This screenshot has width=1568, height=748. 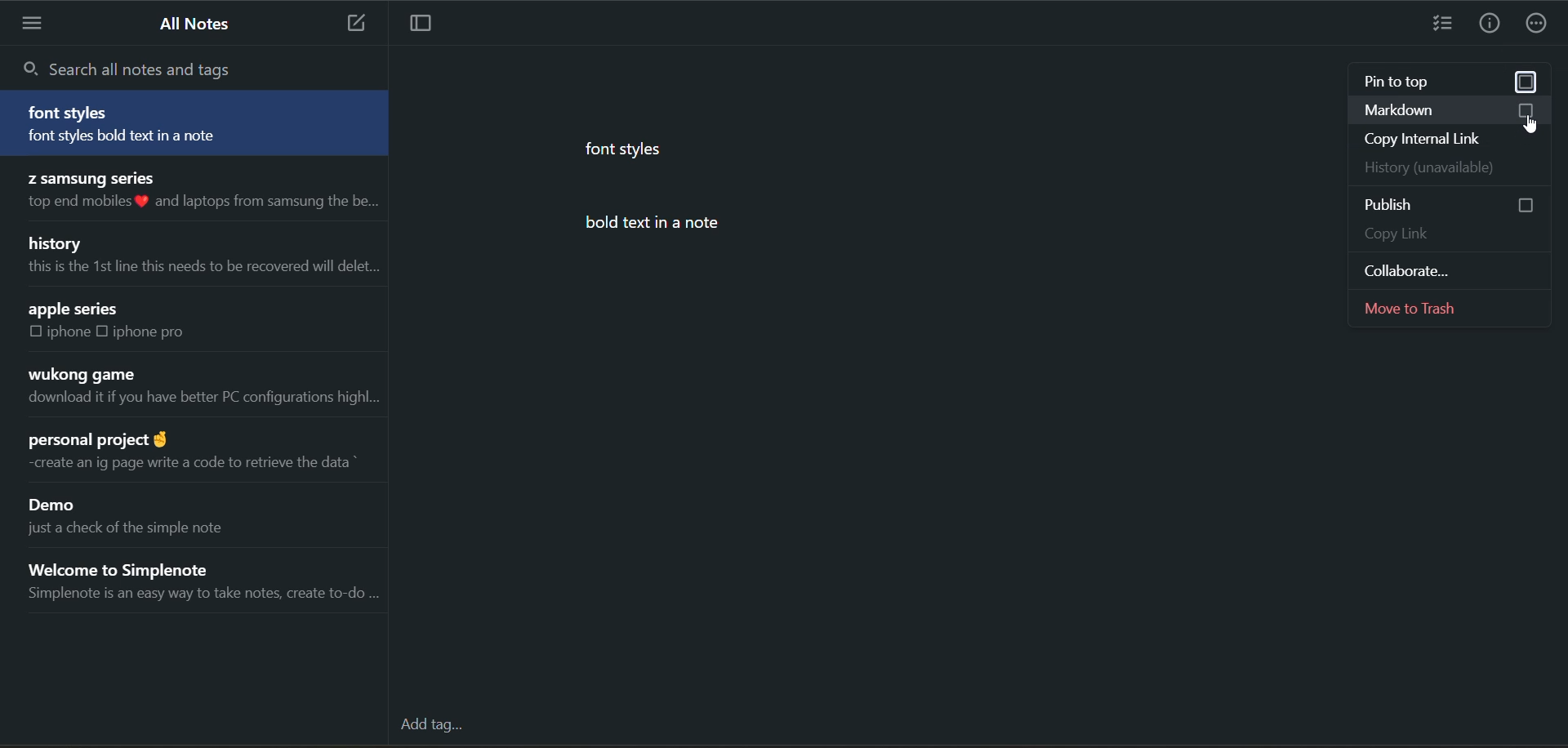 I want to click on ~create an ig page write a code to retrieve the data *, so click(x=188, y=462).